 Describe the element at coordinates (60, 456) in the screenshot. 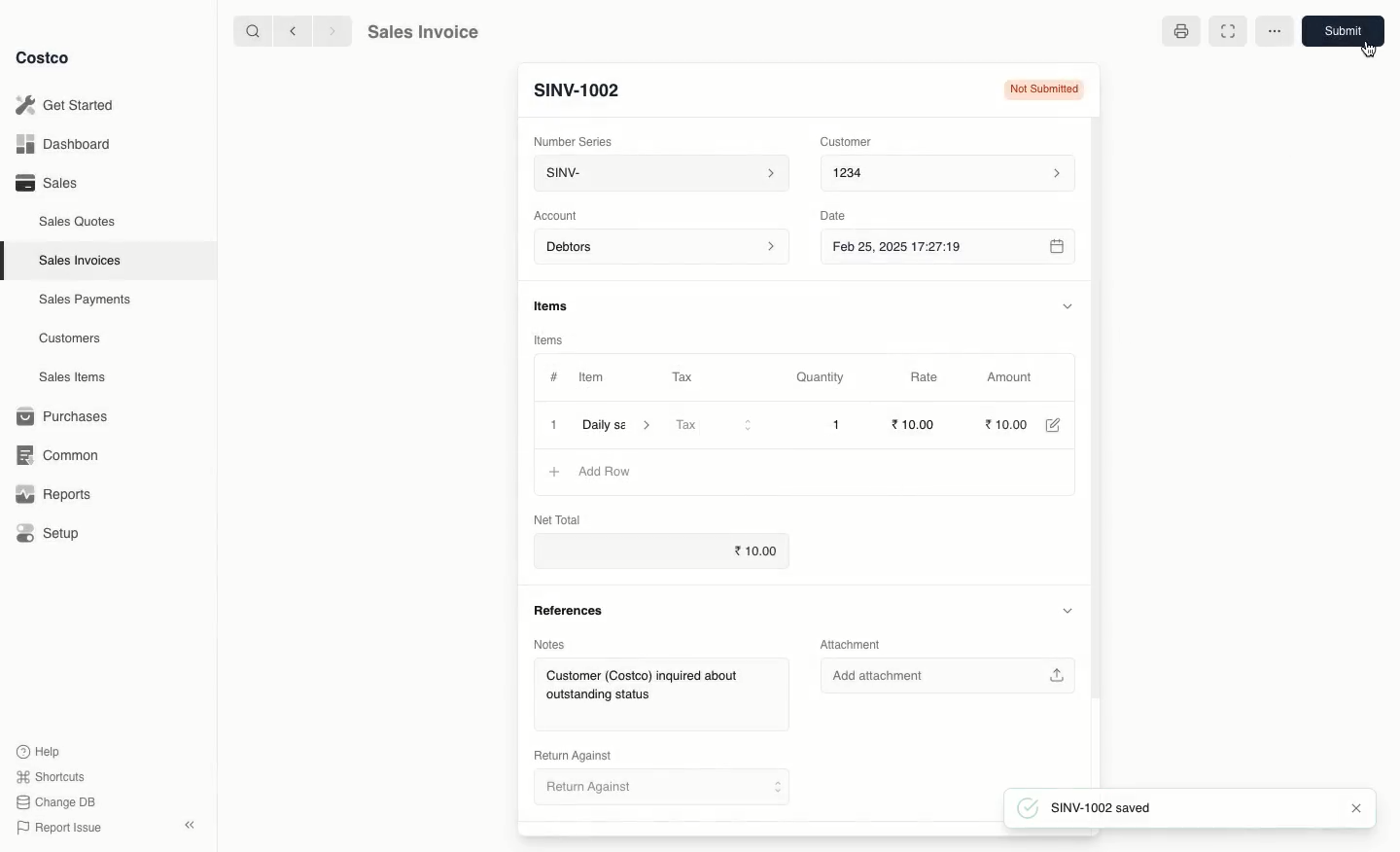

I see `Common` at that location.